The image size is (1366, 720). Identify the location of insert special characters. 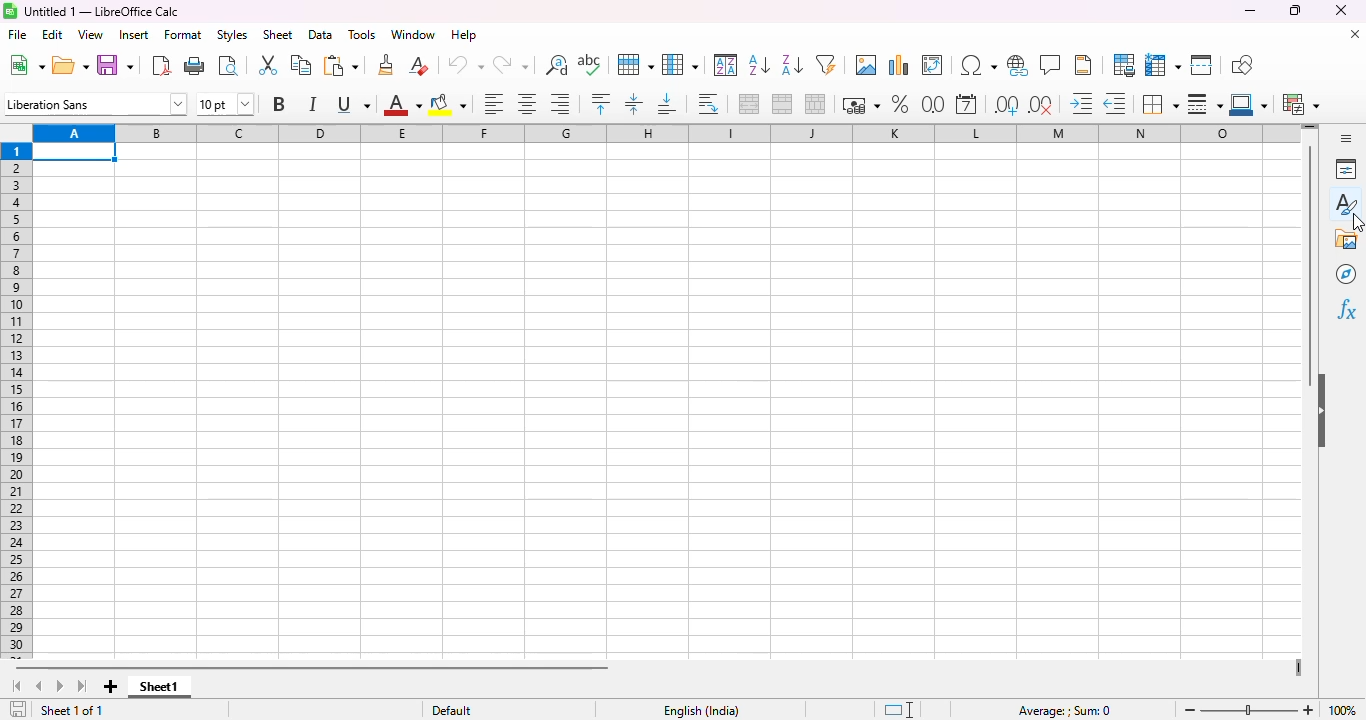
(978, 65).